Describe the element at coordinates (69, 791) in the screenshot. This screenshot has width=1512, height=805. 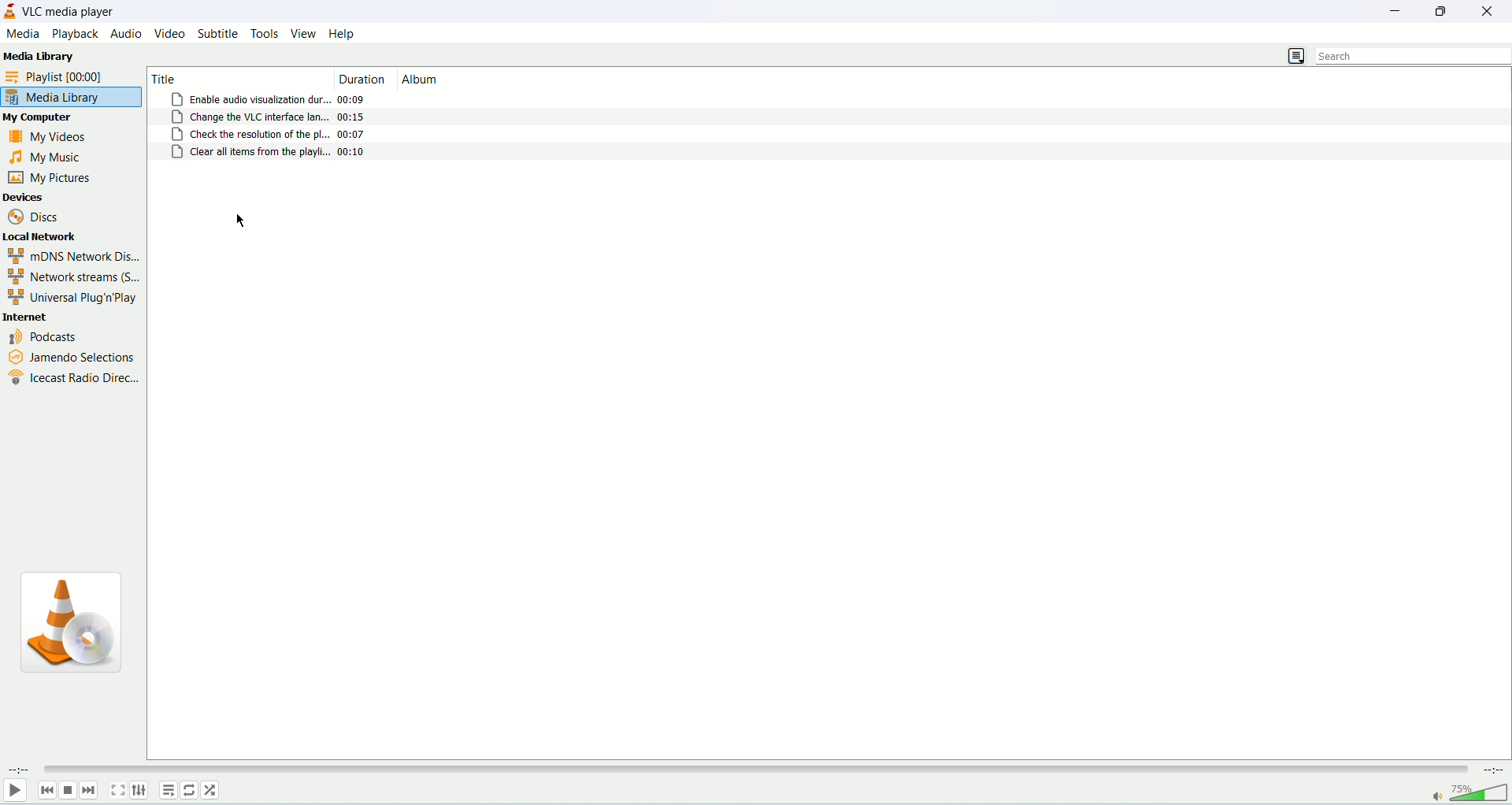
I see `stop` at that location.